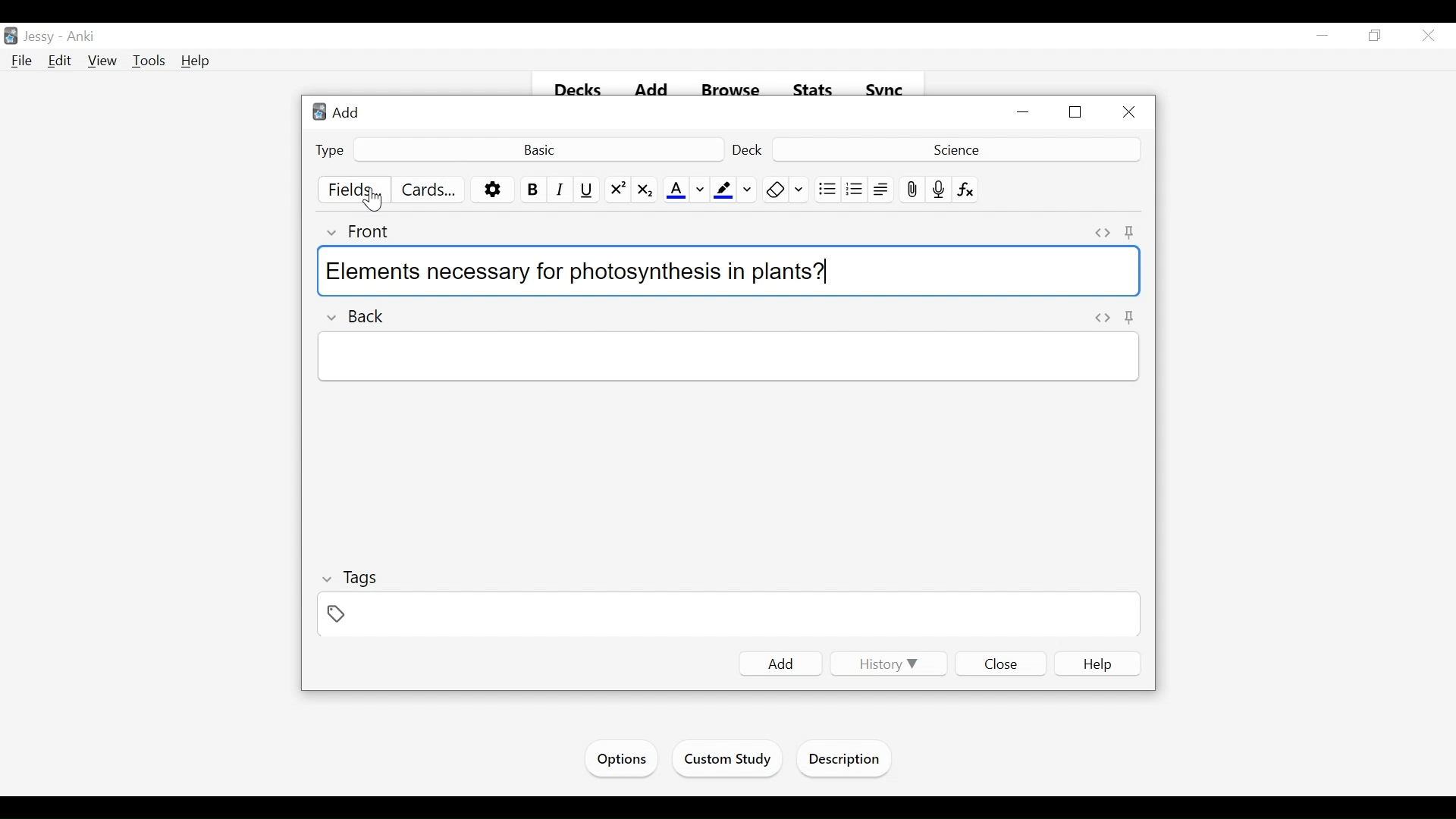 This screenshot has height=819, width=1456. Describe the element at coordinates (781, 664) in the screenshot. I see `Add` at that location.